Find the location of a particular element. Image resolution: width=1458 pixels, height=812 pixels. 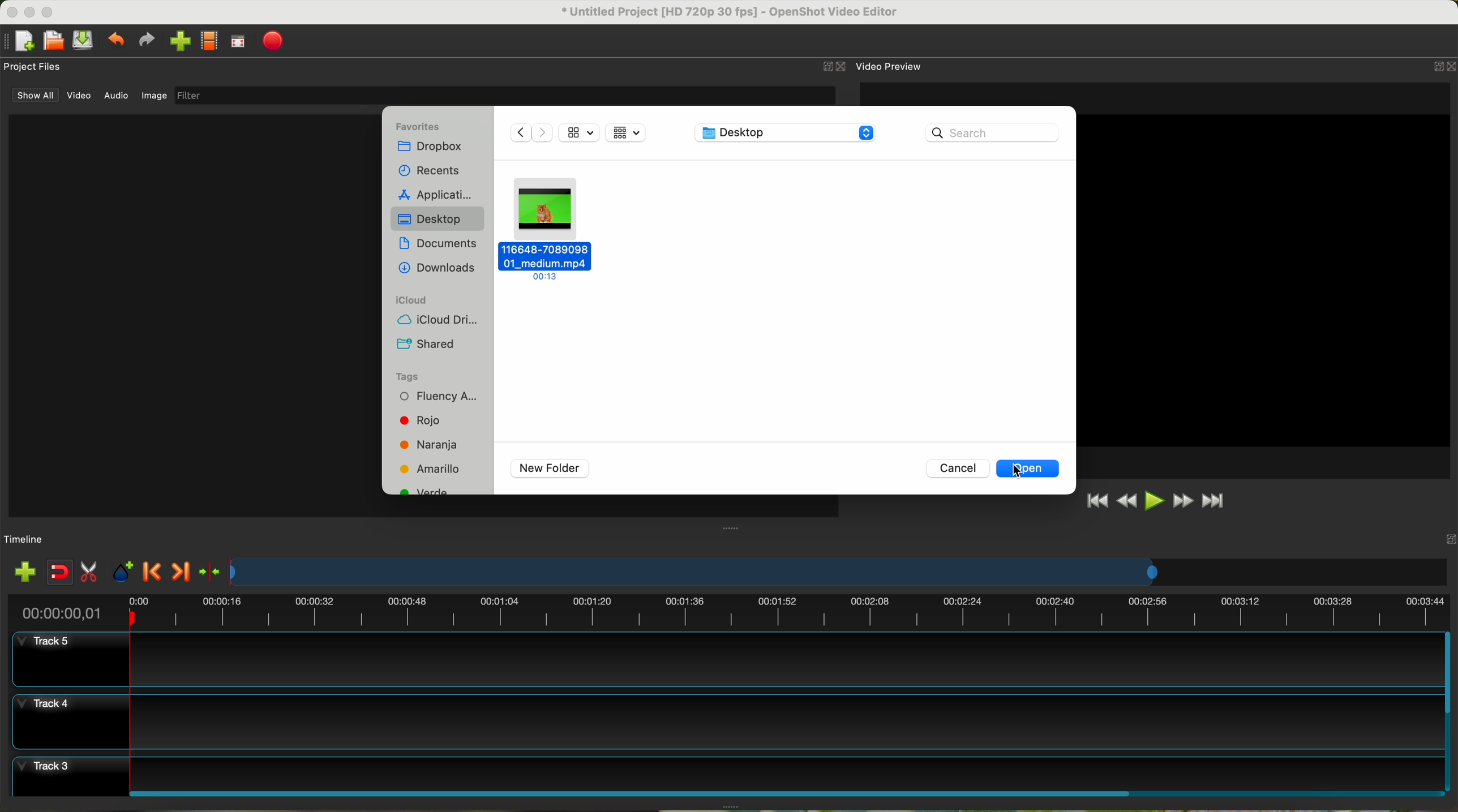

redo is located at coordinates (146, 40).